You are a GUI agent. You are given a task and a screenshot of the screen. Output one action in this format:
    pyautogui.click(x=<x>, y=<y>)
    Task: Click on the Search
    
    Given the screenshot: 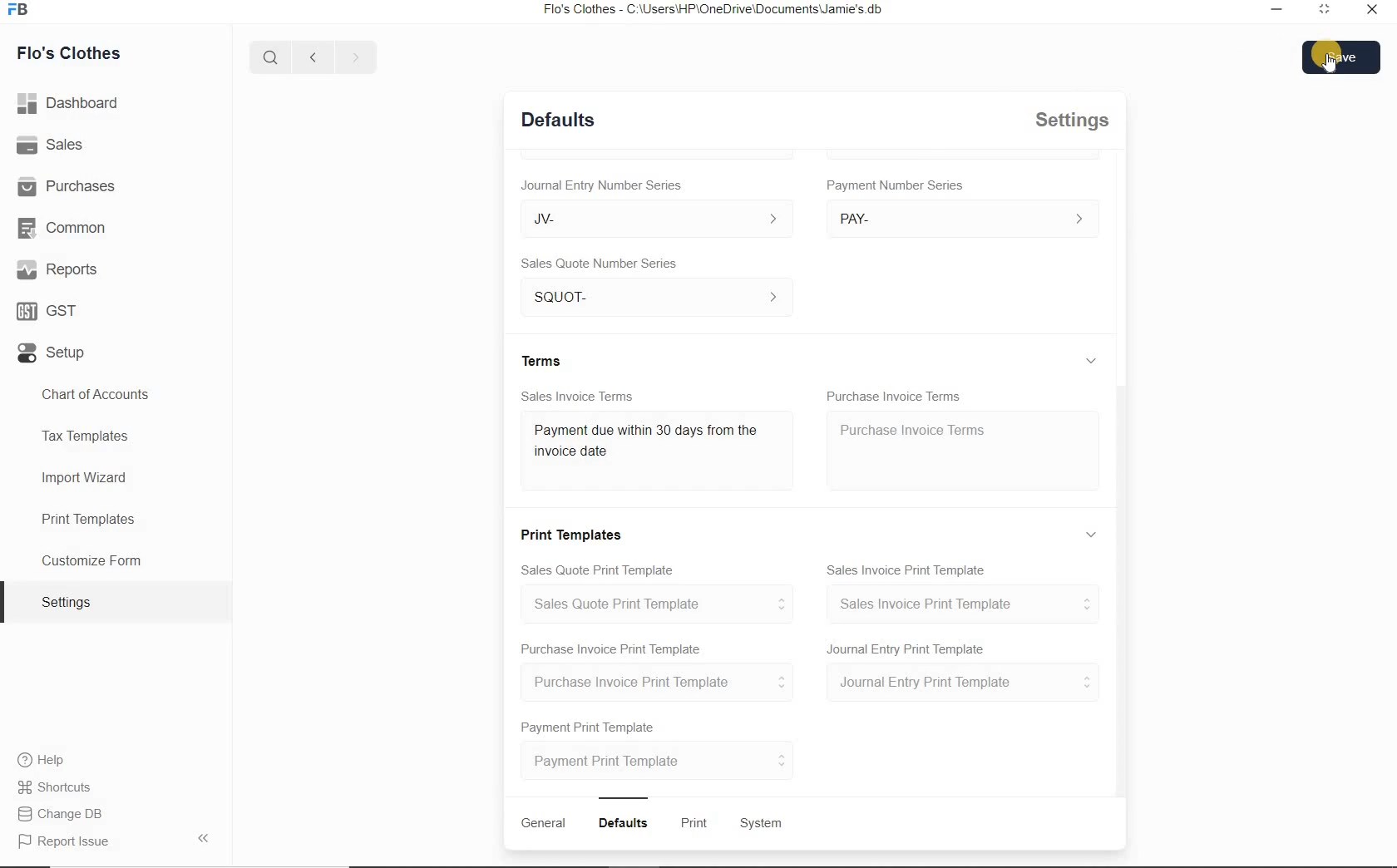 What is the action you would take?
    pyautogui.click(x=271, y=56)
    